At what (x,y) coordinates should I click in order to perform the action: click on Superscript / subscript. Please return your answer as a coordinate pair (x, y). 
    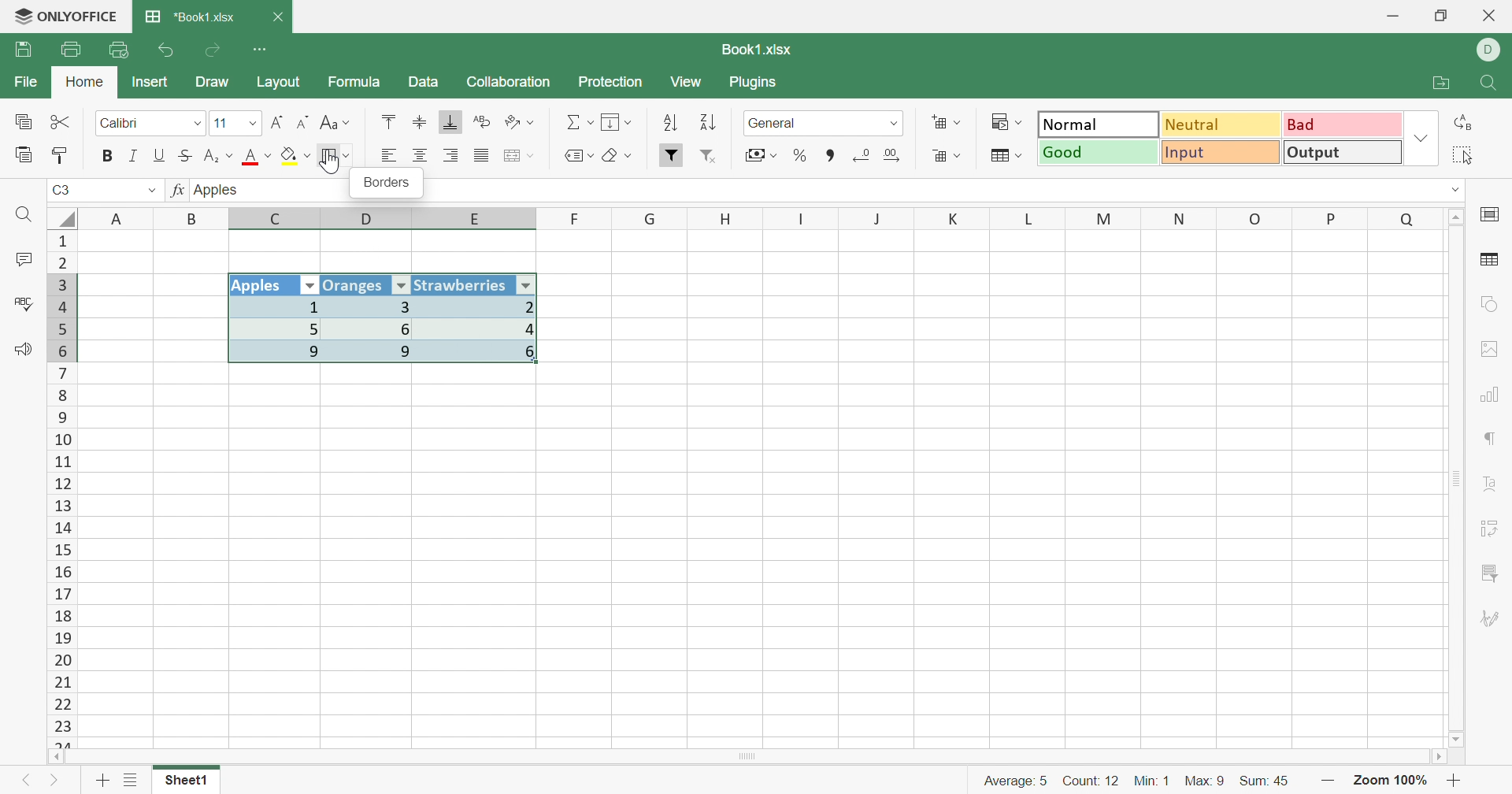
    Looking at the image, I should click on (220, 157).